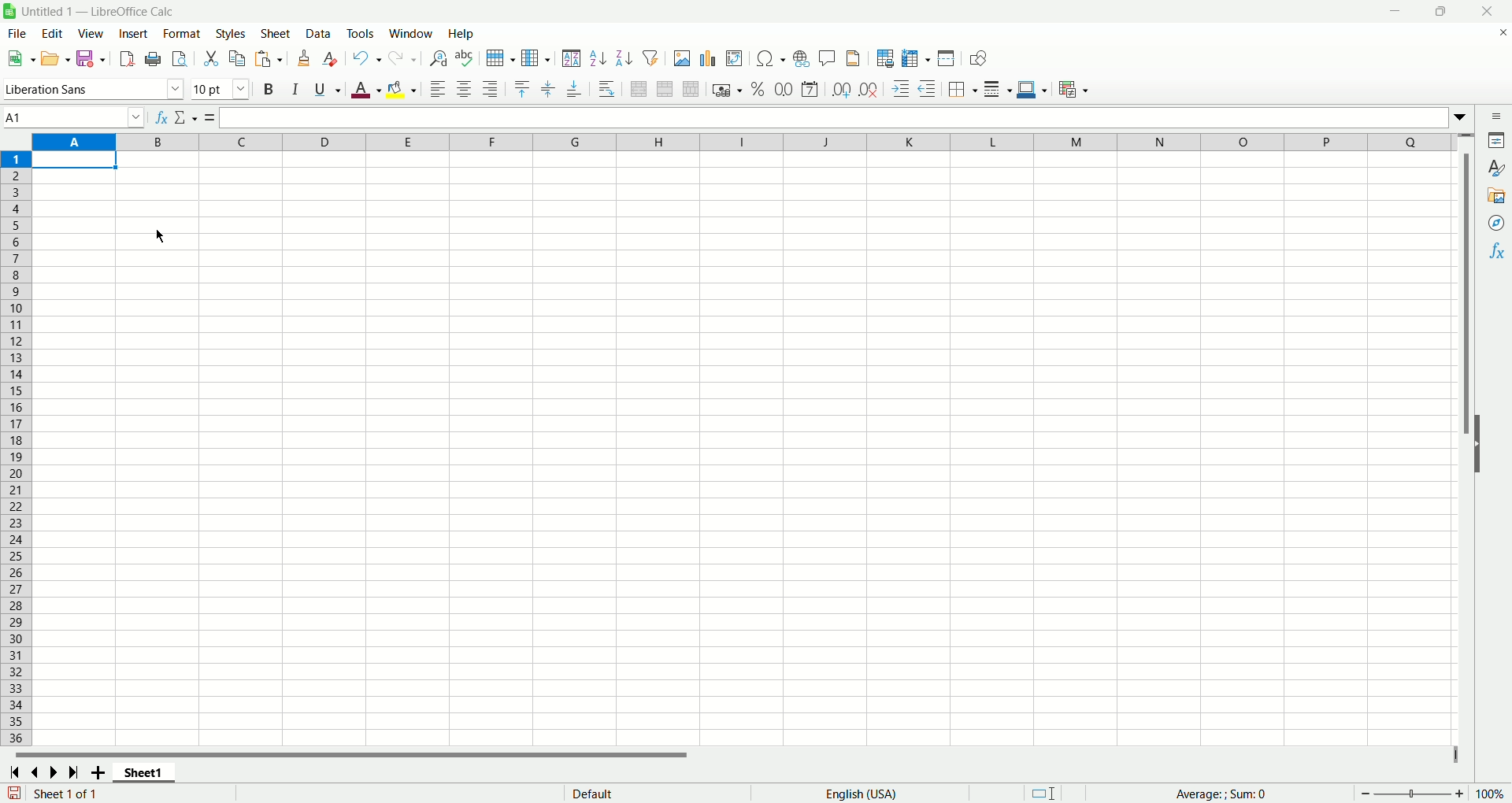 Image resolution: width=1512 pixels, height=803 pixels. Describe the element at coordinates (221, 91) in the screenshot. I see `font size` at that location.